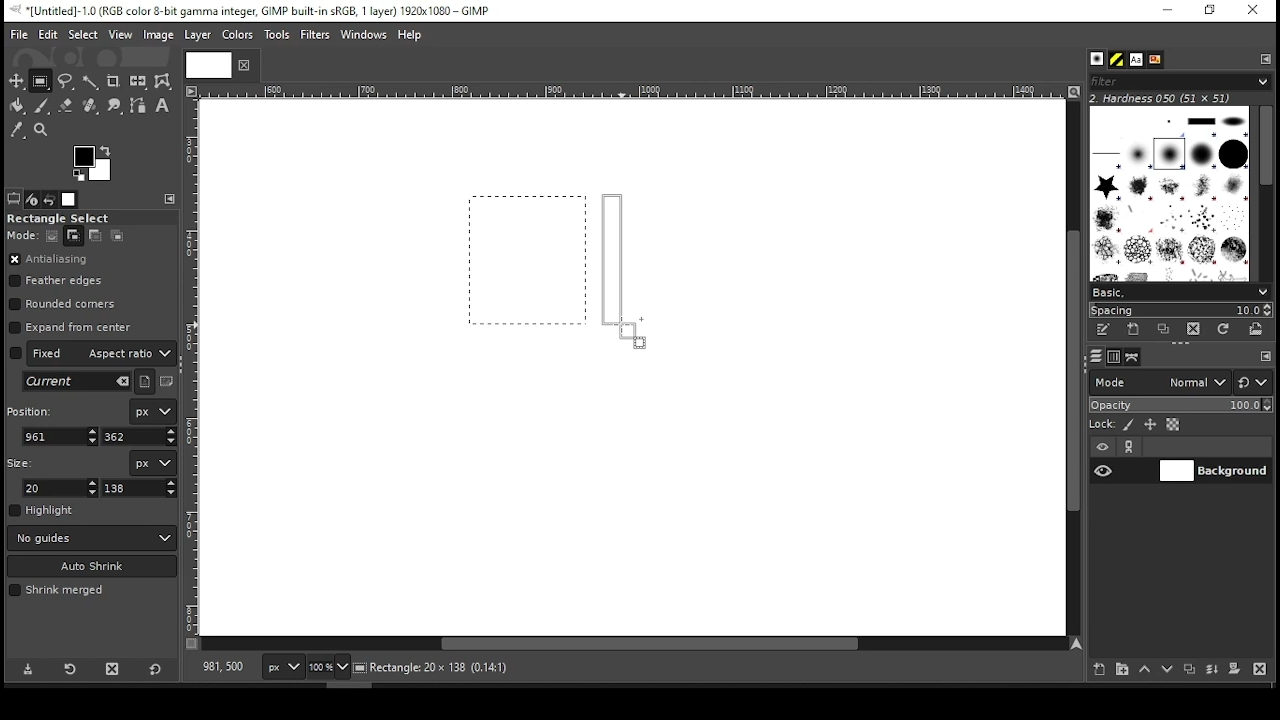  Describe the element at coordinates (1252, 11) in the screenshot. I see `close window` at that location.